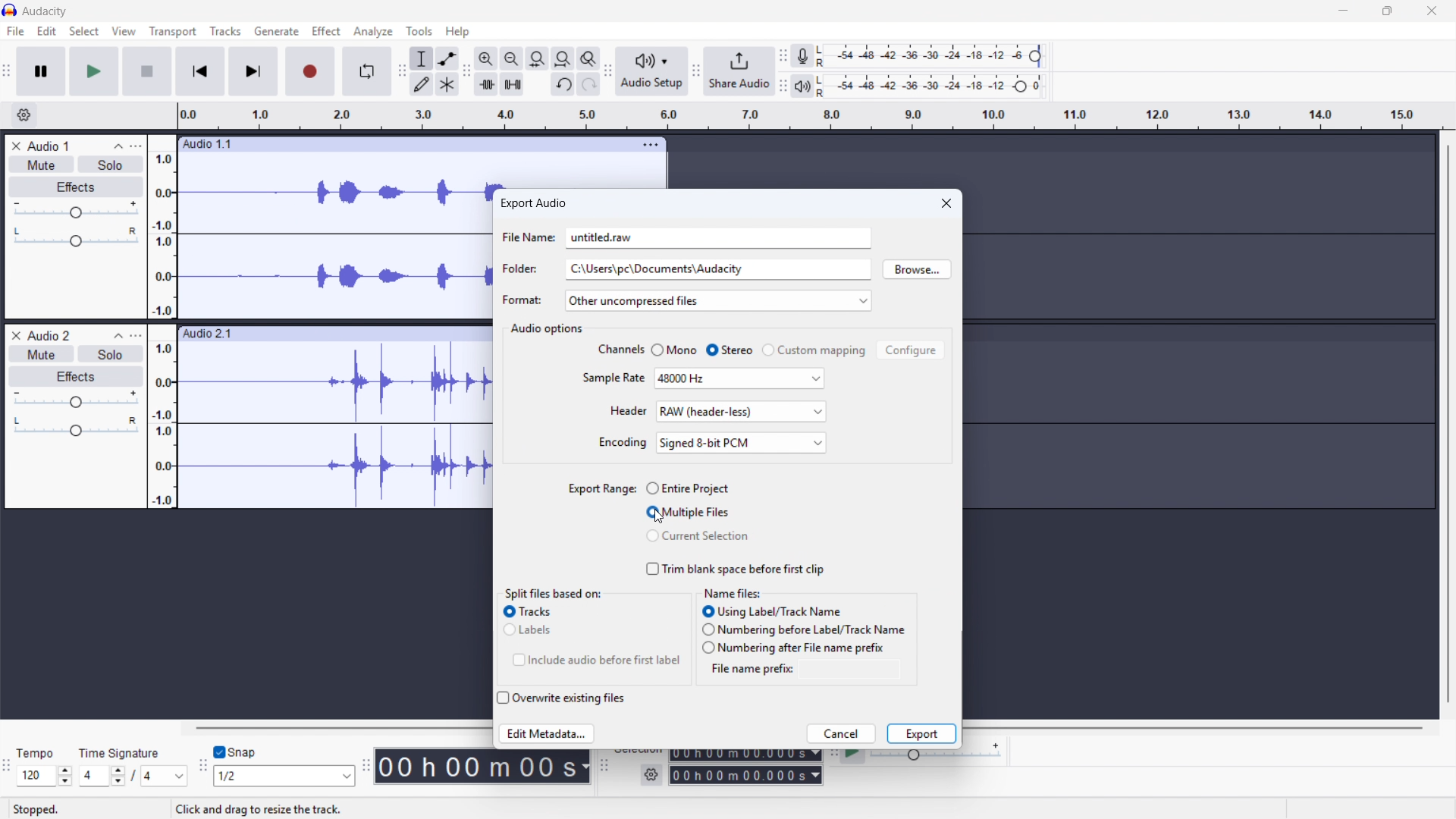  Describe the element at coordinates (7, 766) in the screenshot. I see `time signature toolbar` at that location.